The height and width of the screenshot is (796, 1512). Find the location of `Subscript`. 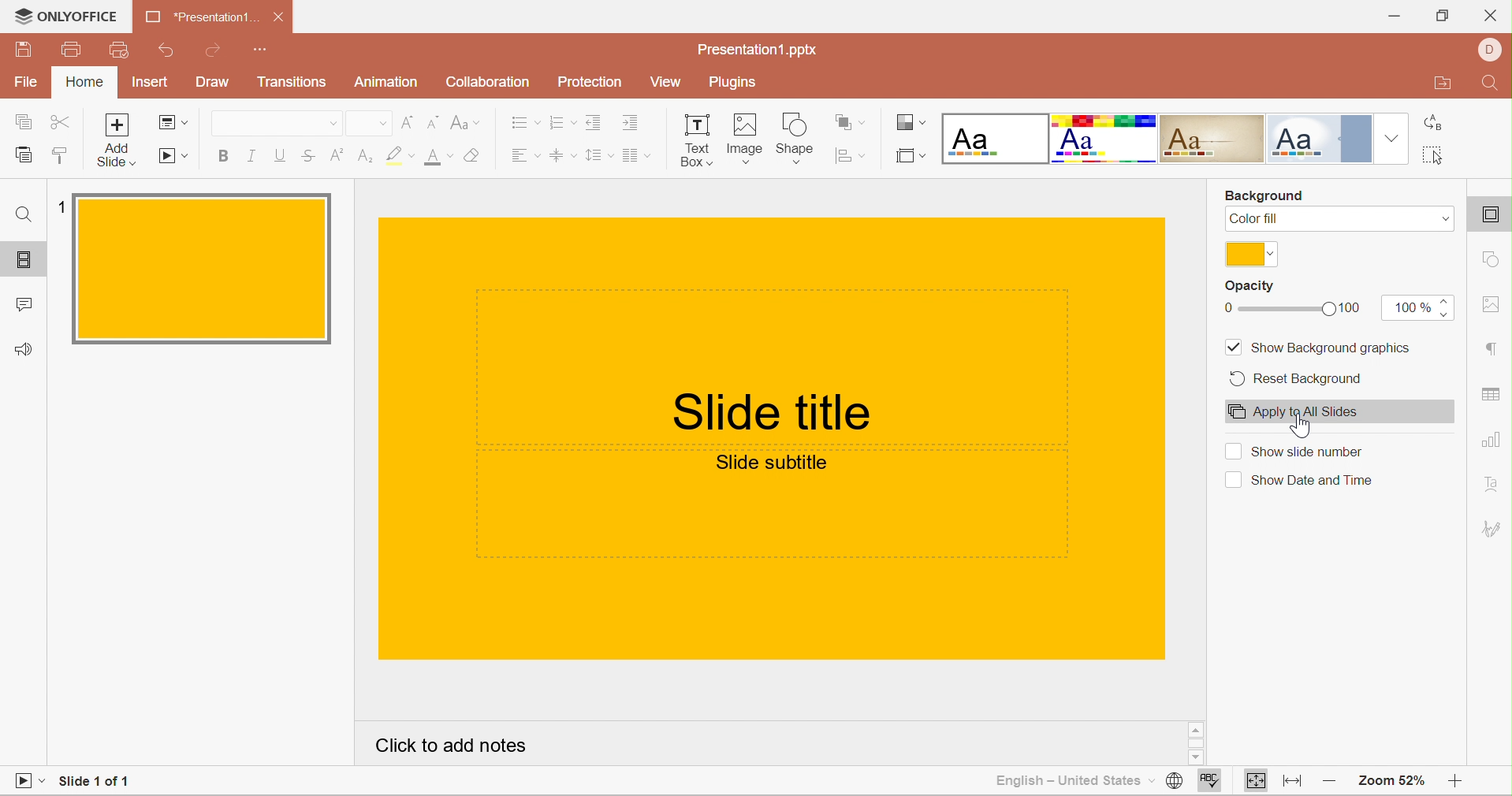

Subscript is located at coordinates (367, 158).